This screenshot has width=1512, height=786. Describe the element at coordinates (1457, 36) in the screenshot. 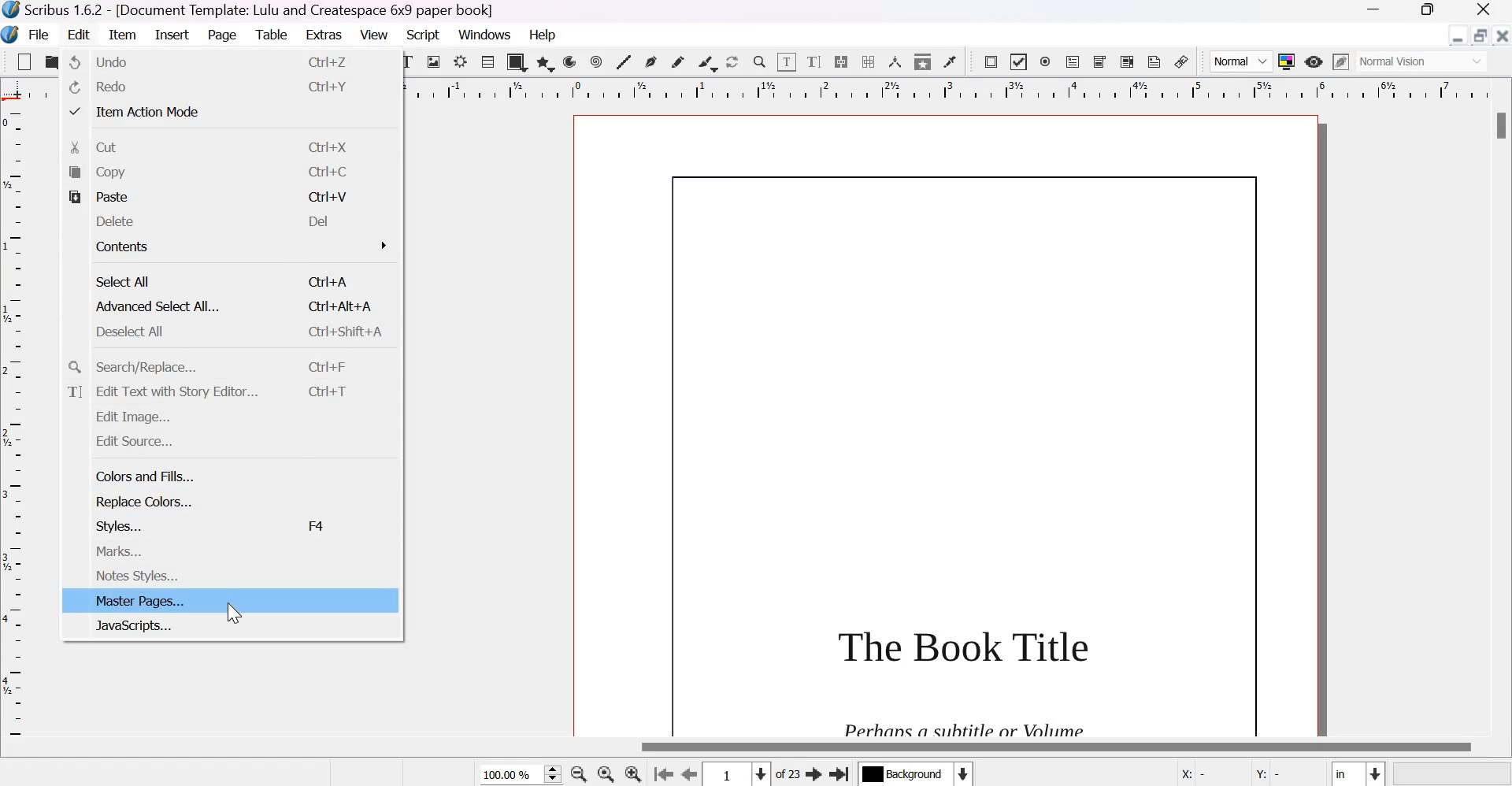

I see `Minimize` at that location.